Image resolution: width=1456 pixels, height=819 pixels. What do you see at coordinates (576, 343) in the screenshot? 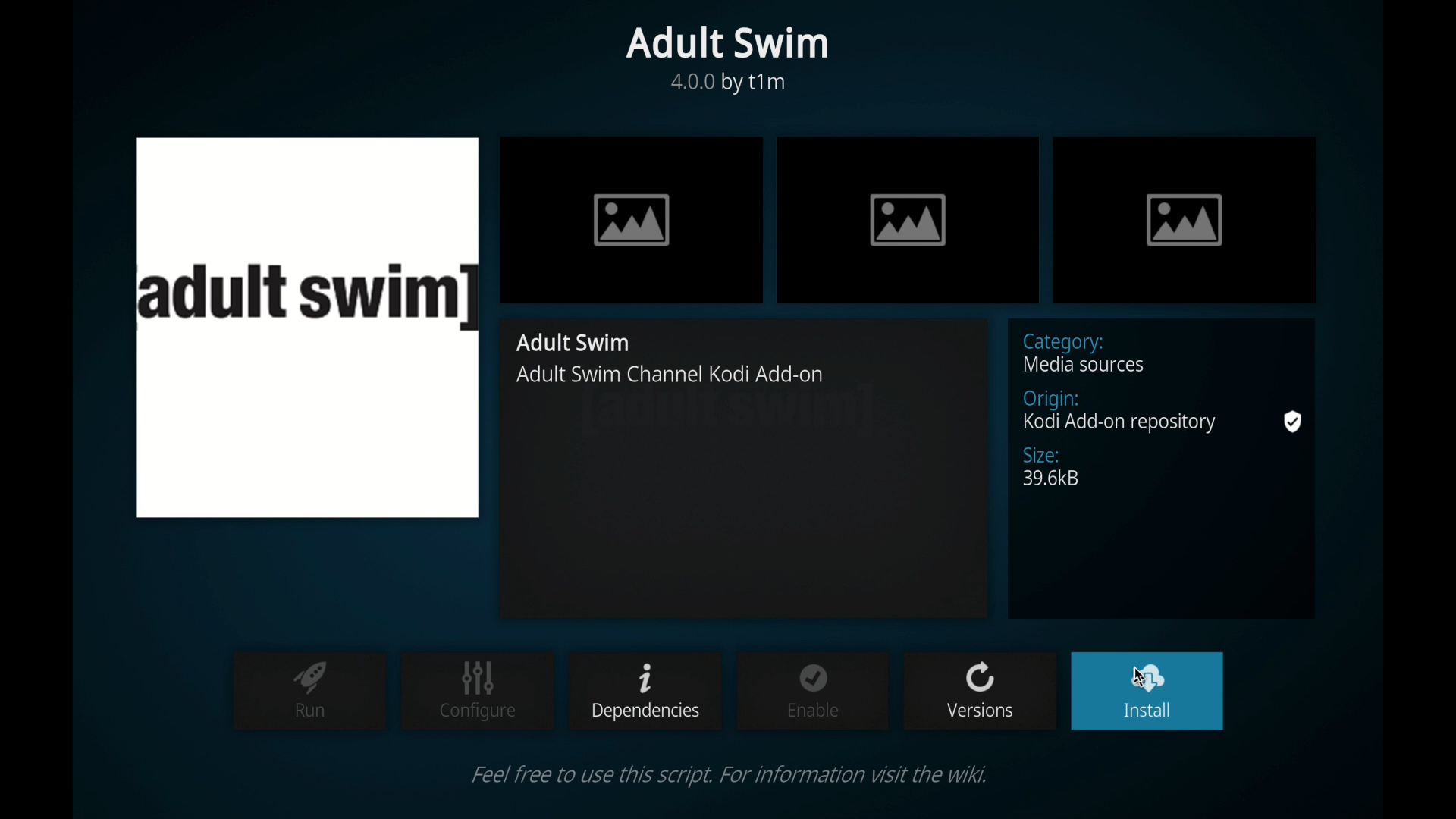
I see `adult swim` at bounding box center [576, 343].